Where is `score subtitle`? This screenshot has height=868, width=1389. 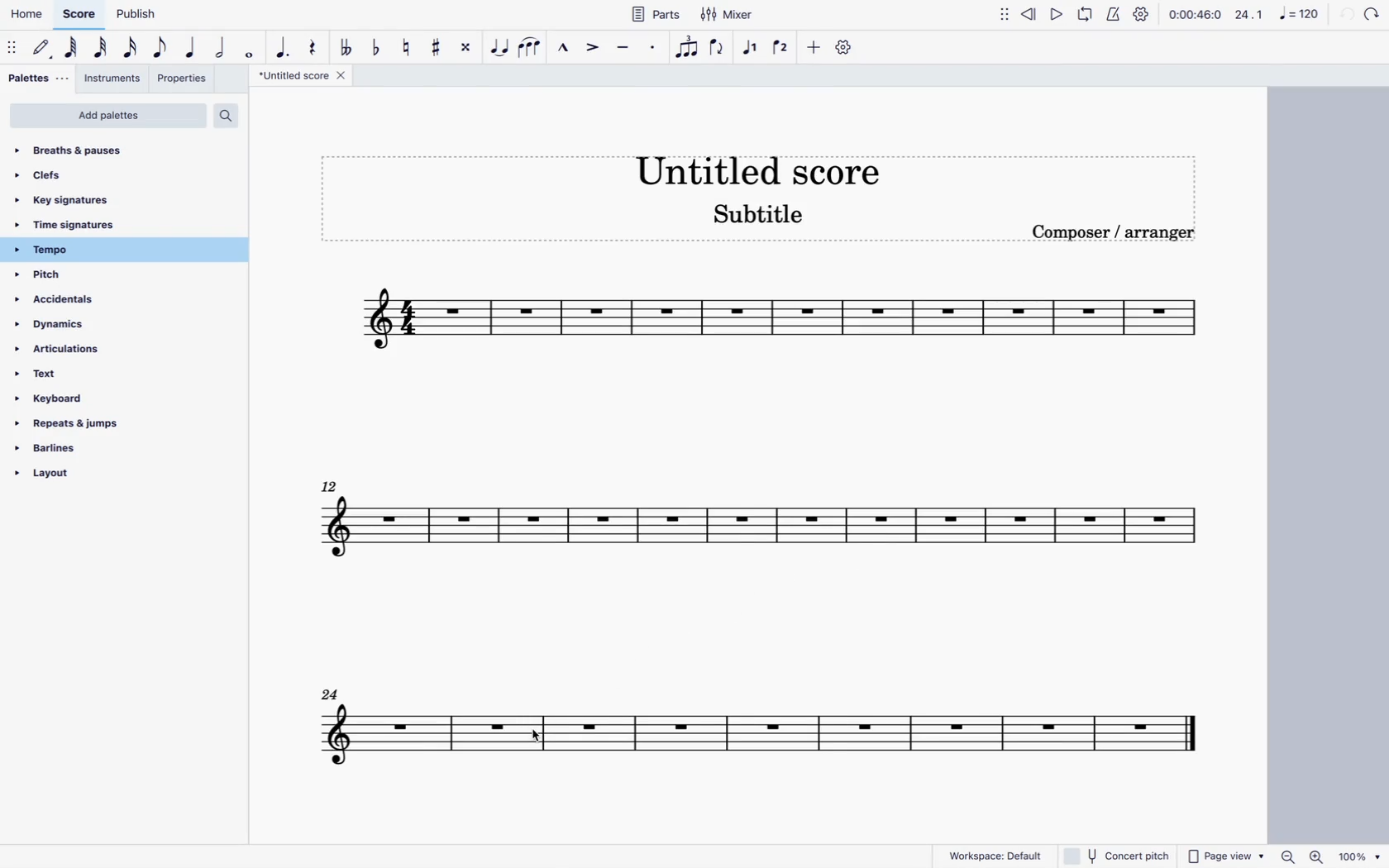
score subtitle is located at coordinates (764, 216).